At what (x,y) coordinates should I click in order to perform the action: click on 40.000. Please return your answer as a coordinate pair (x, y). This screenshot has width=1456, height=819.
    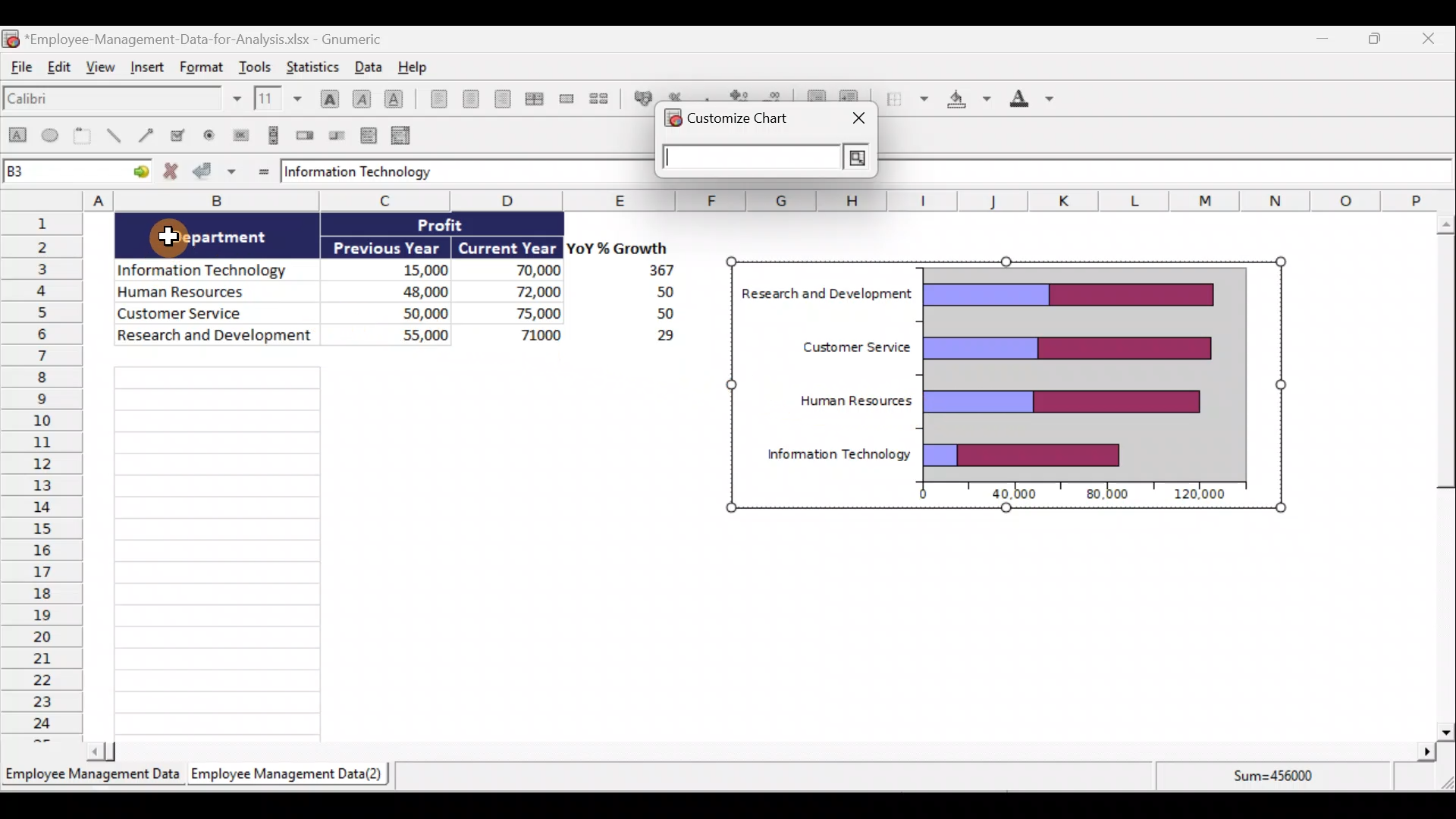
    Looking at the image, I should click on (1016, 495).